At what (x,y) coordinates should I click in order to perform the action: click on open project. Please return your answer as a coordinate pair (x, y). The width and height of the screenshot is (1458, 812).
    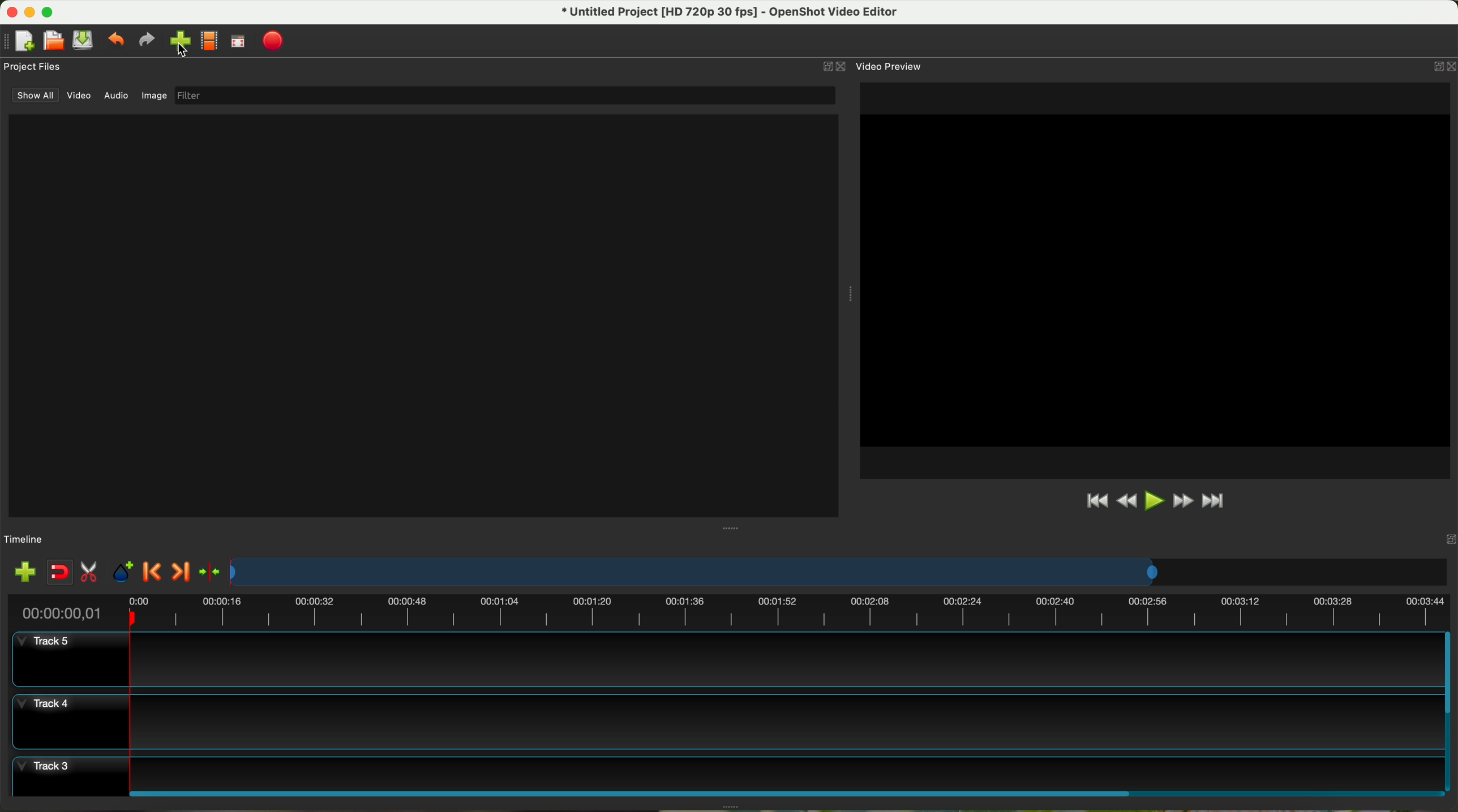
    Looking at the image, I should click on (55, 40).